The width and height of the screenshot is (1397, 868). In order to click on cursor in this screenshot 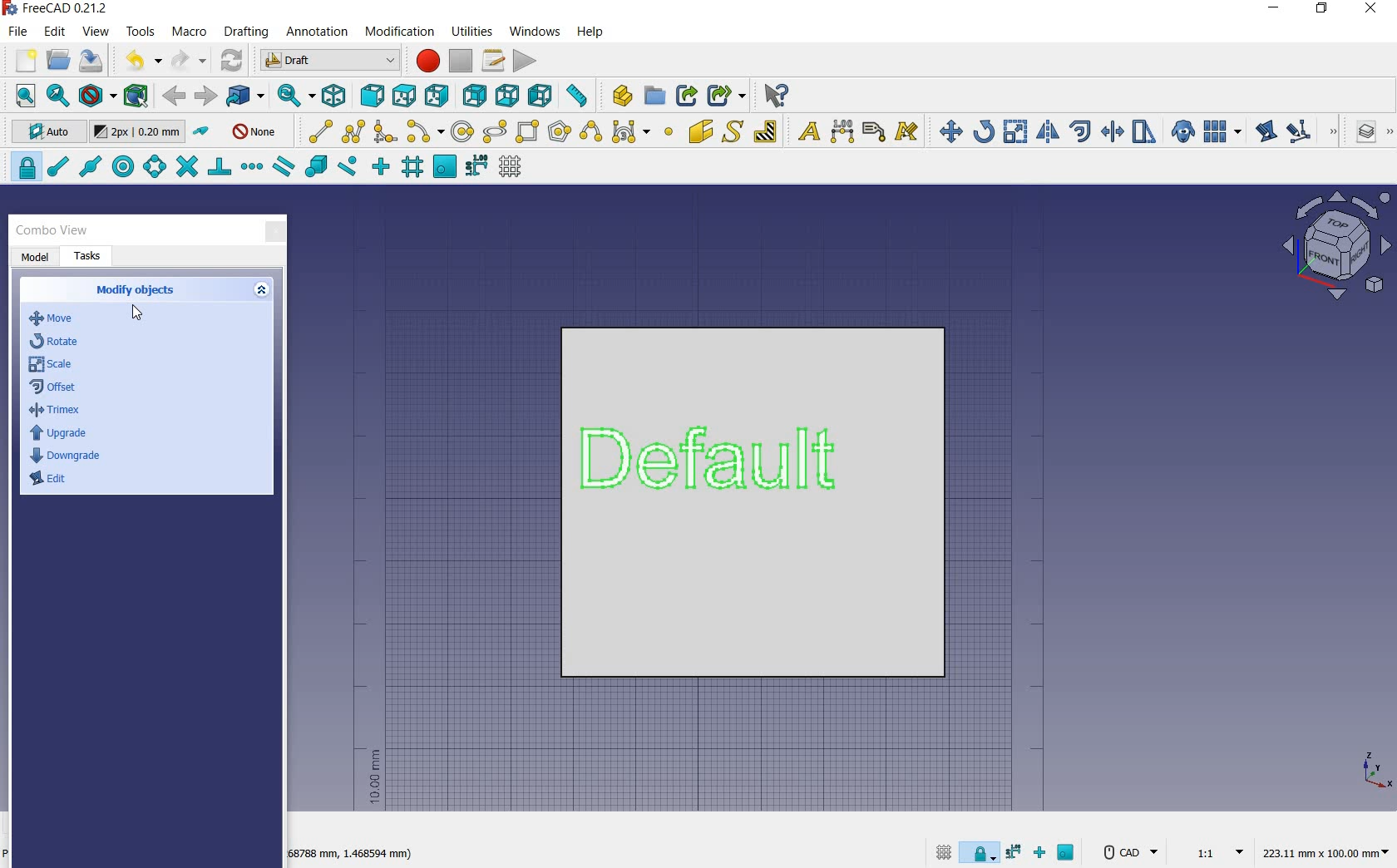, I will do `click(139, 316)`.